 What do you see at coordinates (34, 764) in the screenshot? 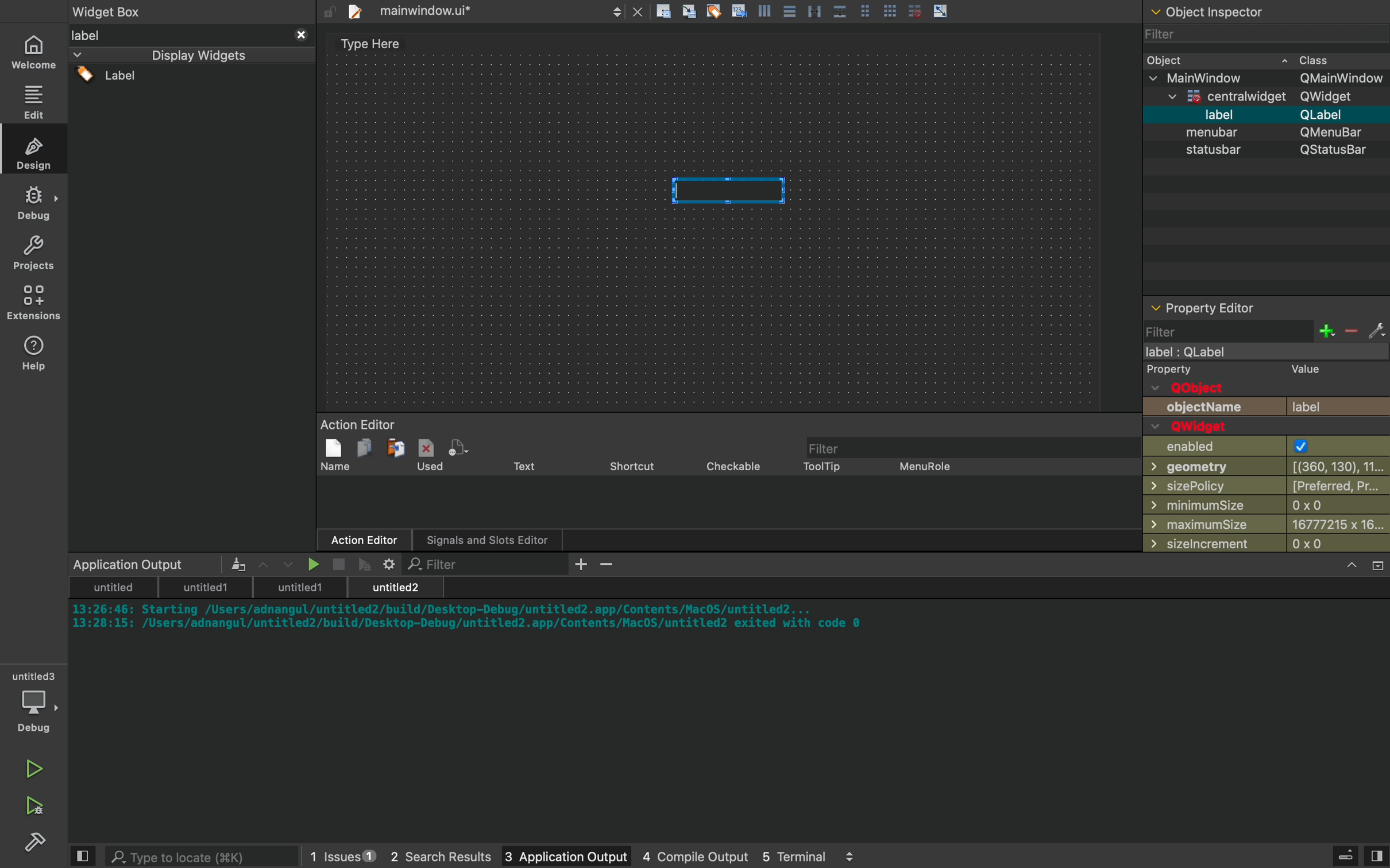
I see `run` at bounding box center [34, 764].